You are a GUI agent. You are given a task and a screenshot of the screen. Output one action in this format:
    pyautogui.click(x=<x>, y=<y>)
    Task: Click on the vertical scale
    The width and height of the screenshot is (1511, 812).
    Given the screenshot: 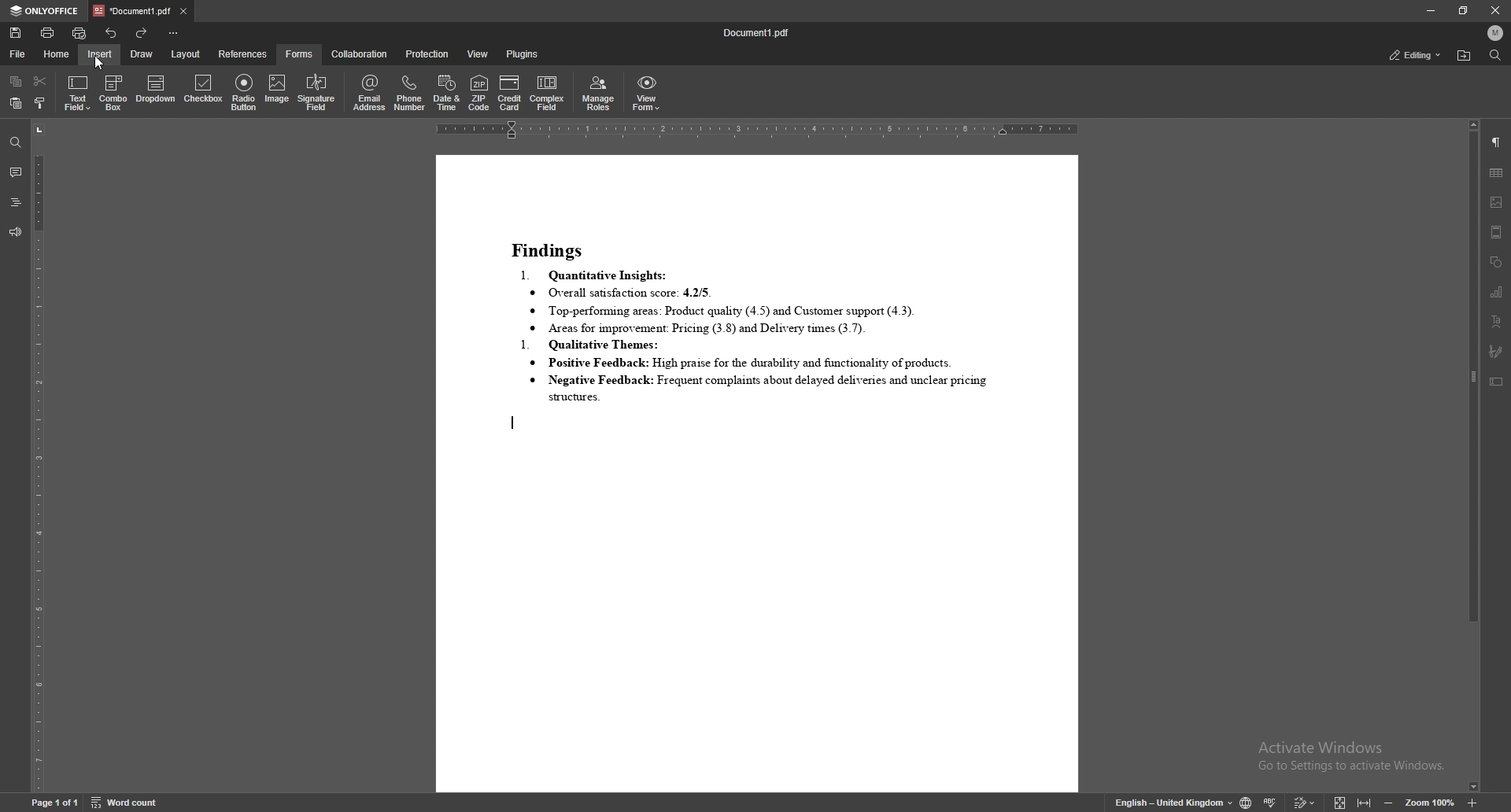 What is the action you would take?
    pyautogui.click(x=38, y=456)
    